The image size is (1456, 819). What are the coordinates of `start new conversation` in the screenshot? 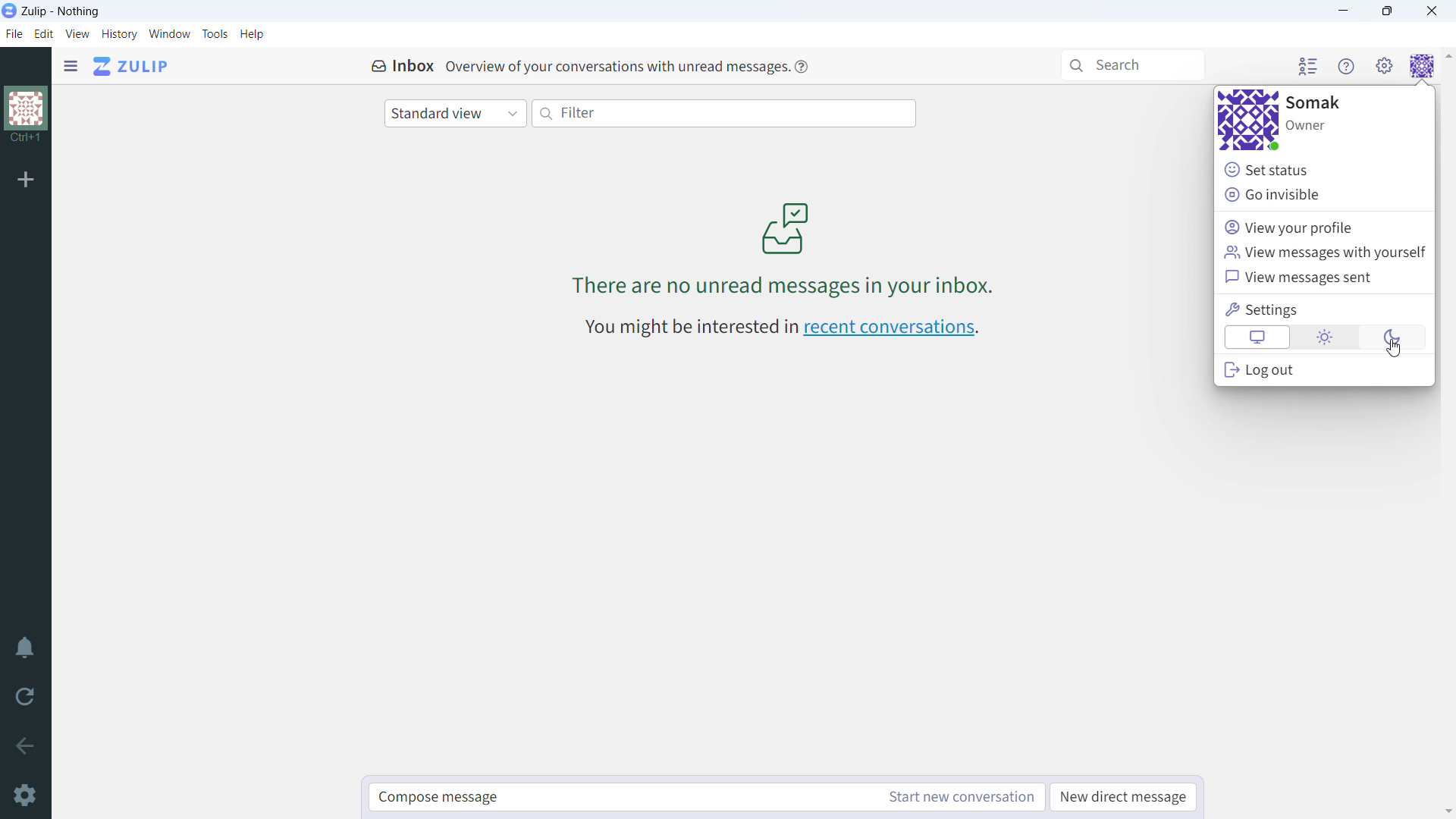 It's located at (958, 797).